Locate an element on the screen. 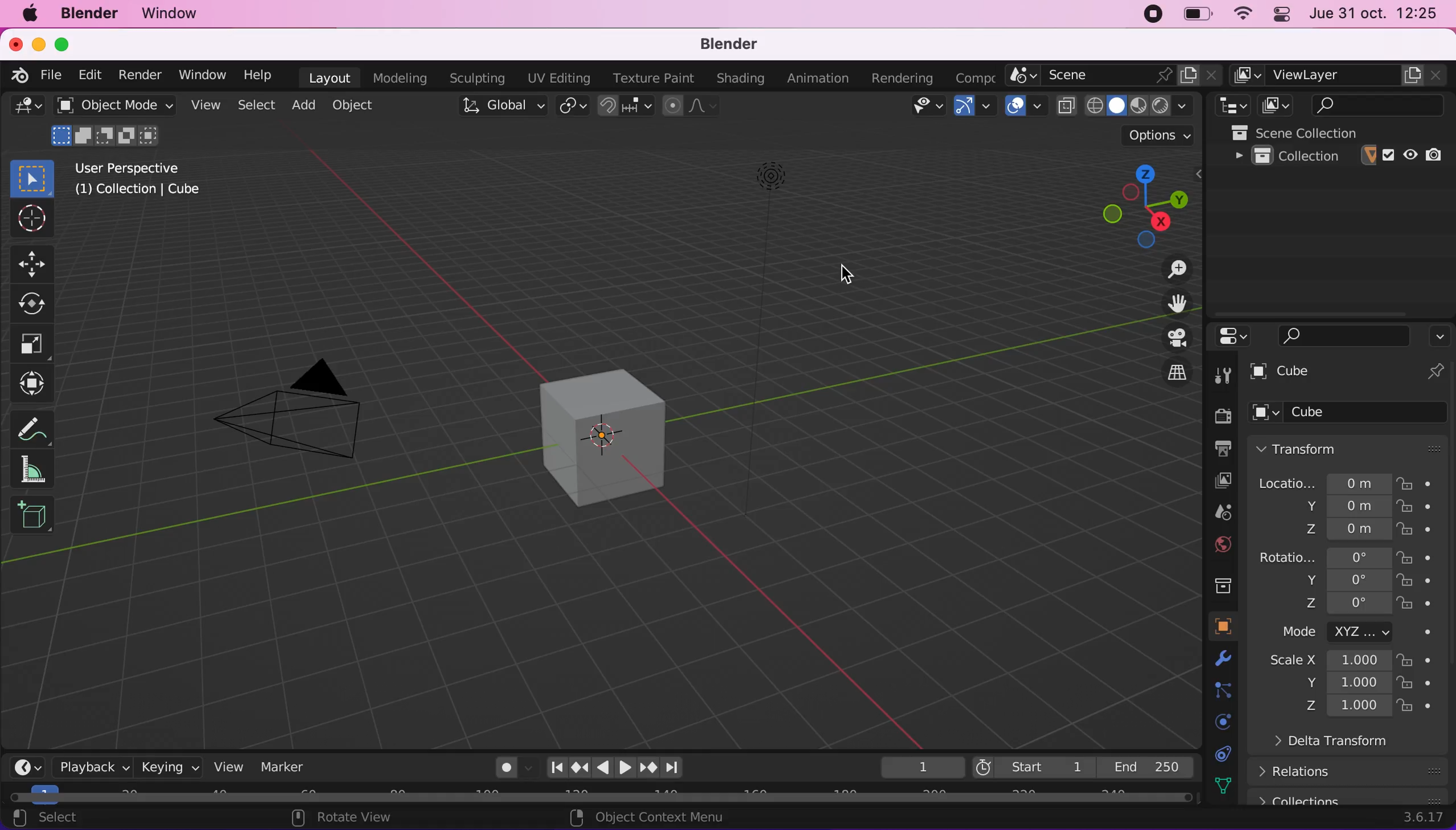 This screenshot has width=1456, height=830. location 0m is located at coordinates (1323, 482).